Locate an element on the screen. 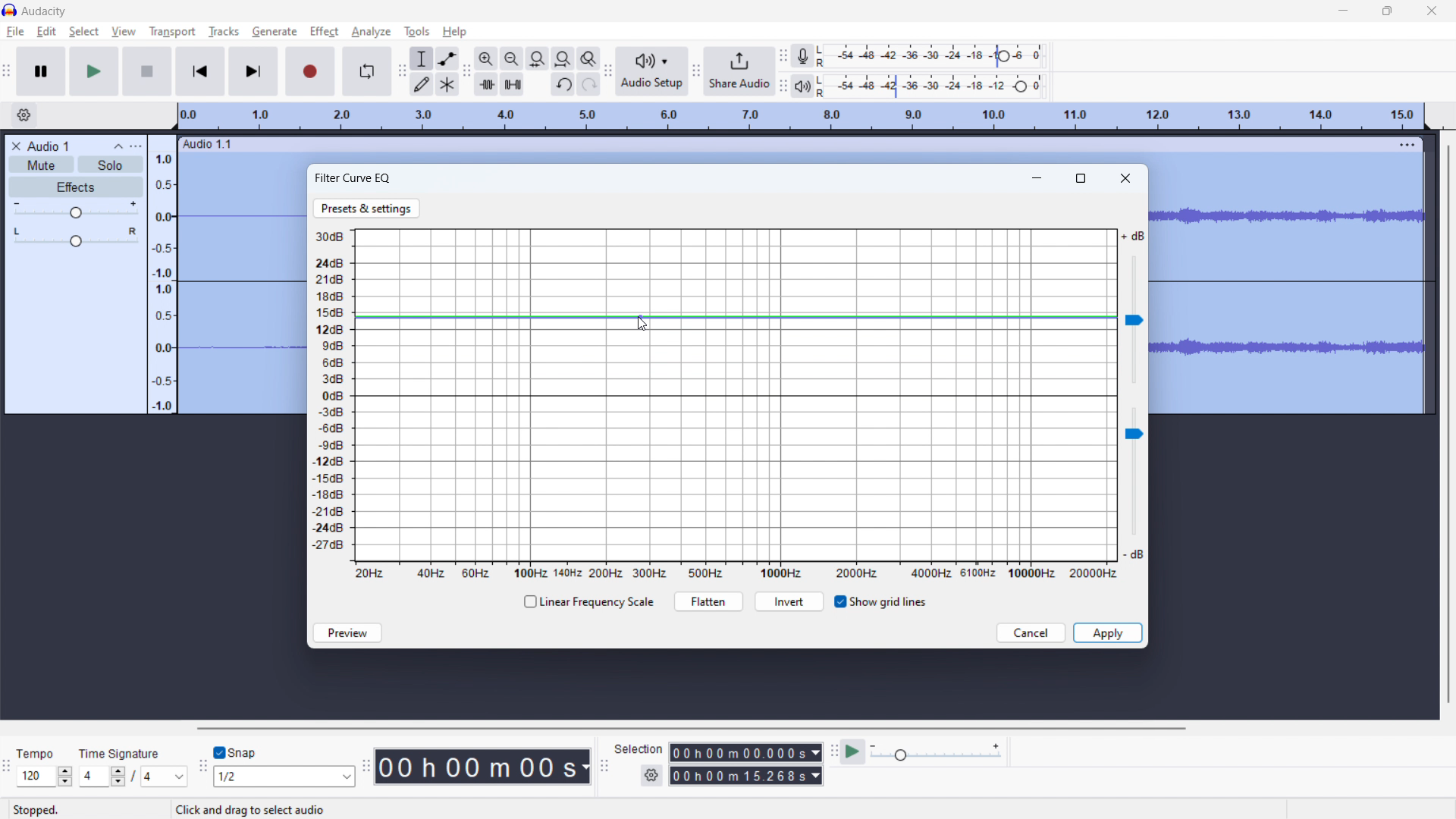  timeline settings is located at coordinates (24, 115).